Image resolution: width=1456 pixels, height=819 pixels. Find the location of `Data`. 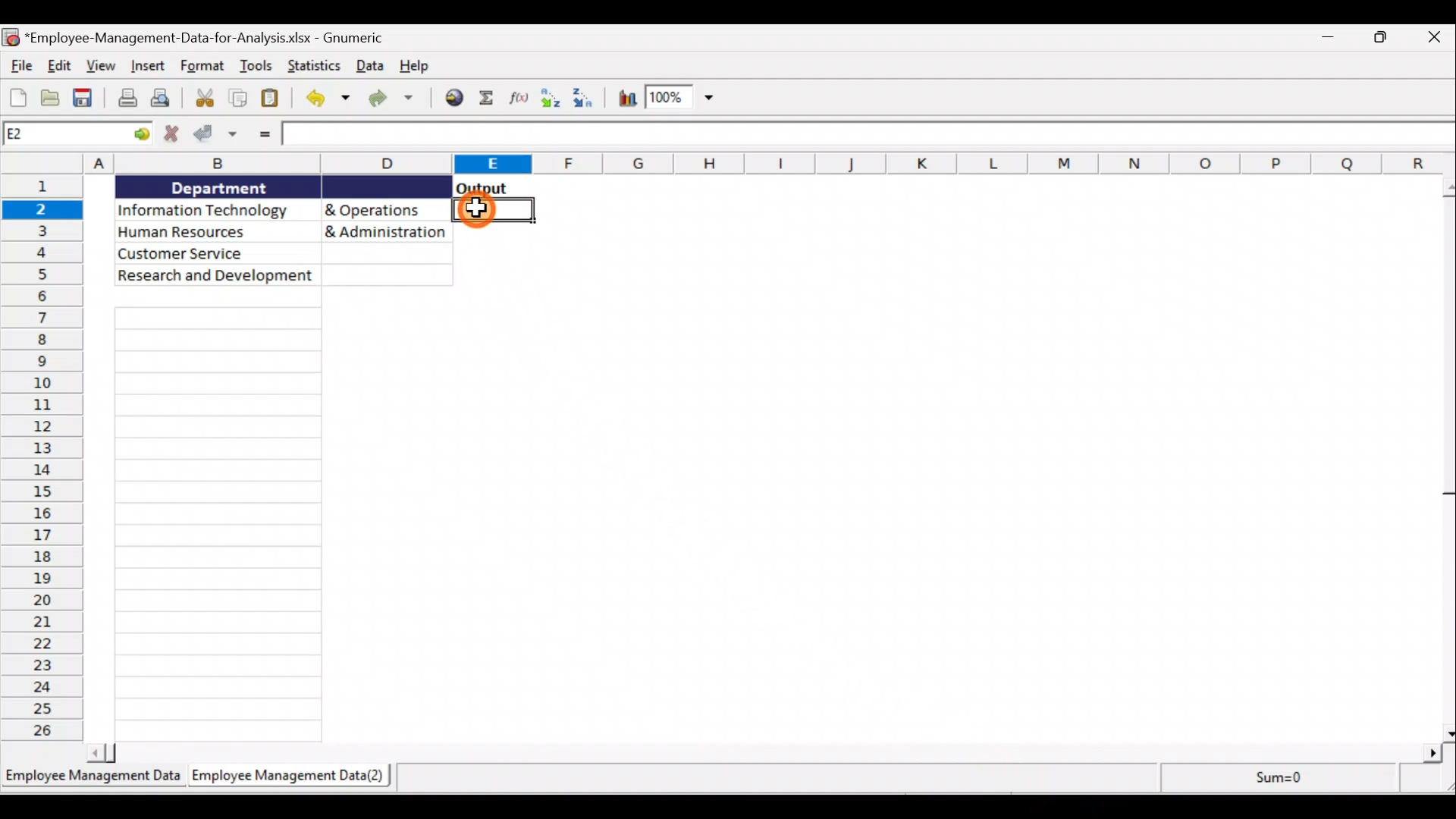

Data is located at coordinates (284, 231).